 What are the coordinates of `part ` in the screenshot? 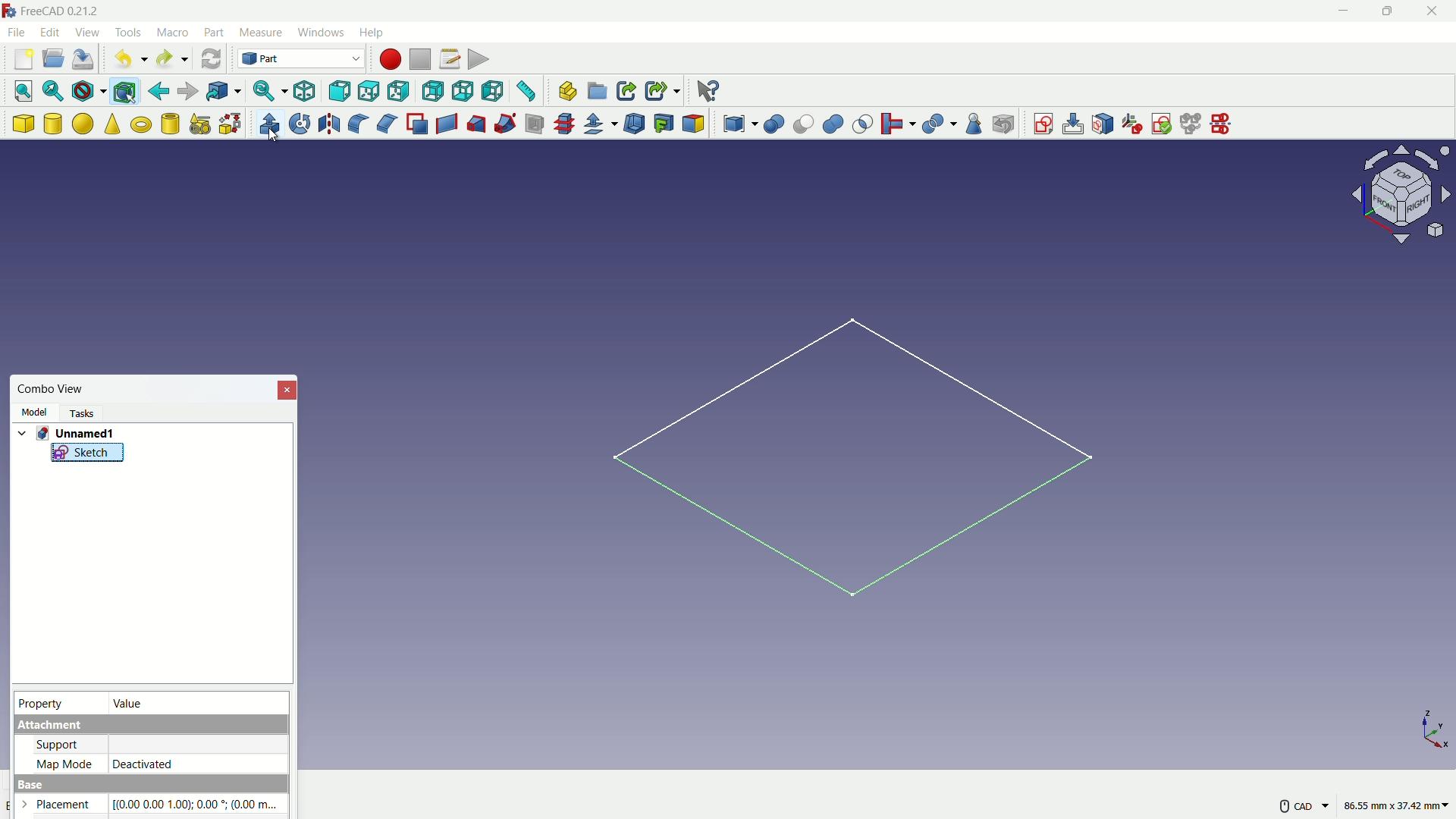 It's located at (214, 32).